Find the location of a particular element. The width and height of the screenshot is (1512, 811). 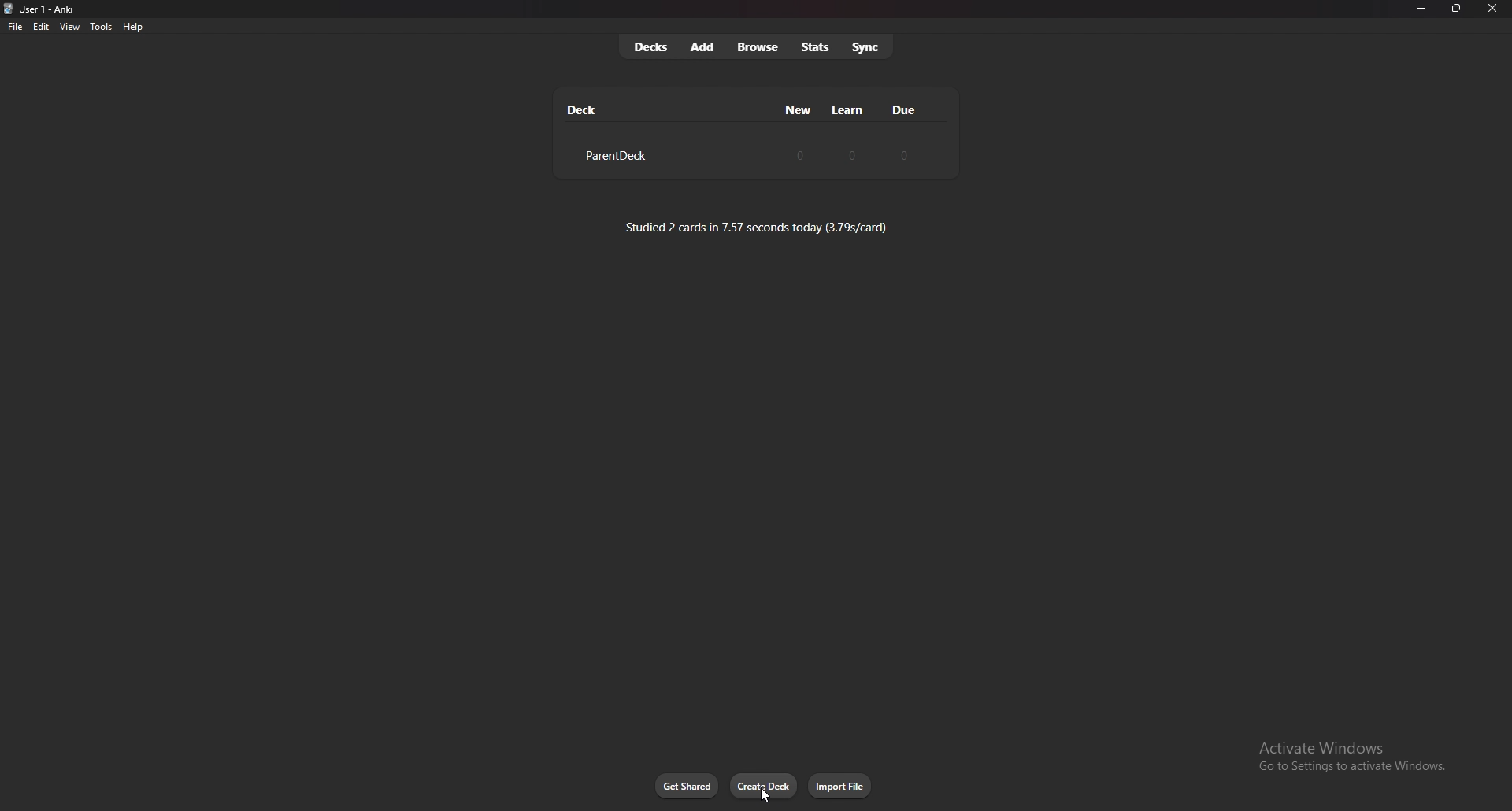

ParentDeck is located at coordinates (613, 156).